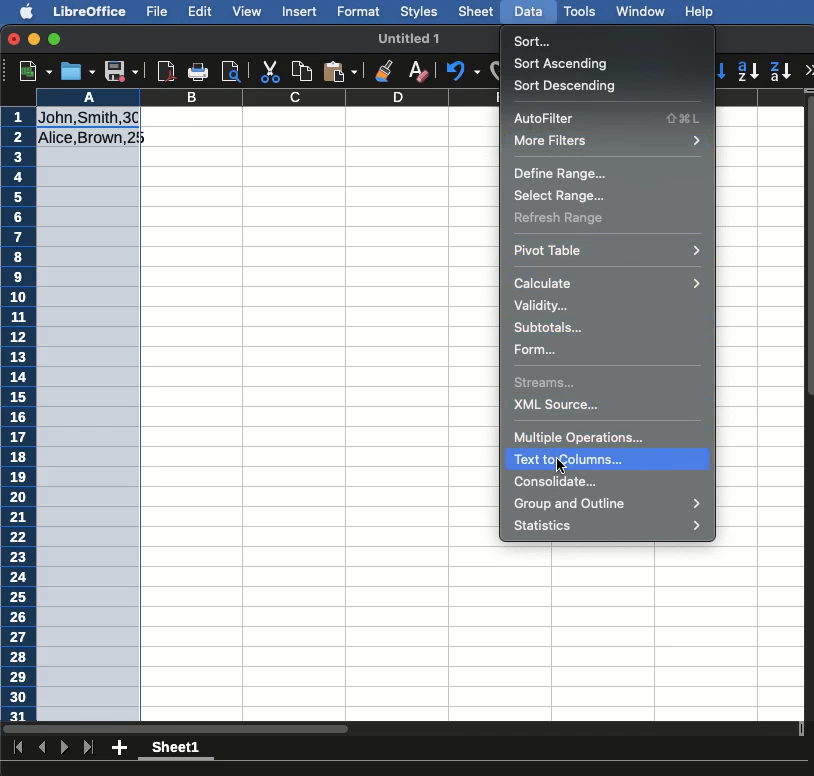 This screenshot has width=814, height=776. I want to click on Preview print, so click(231, 72).